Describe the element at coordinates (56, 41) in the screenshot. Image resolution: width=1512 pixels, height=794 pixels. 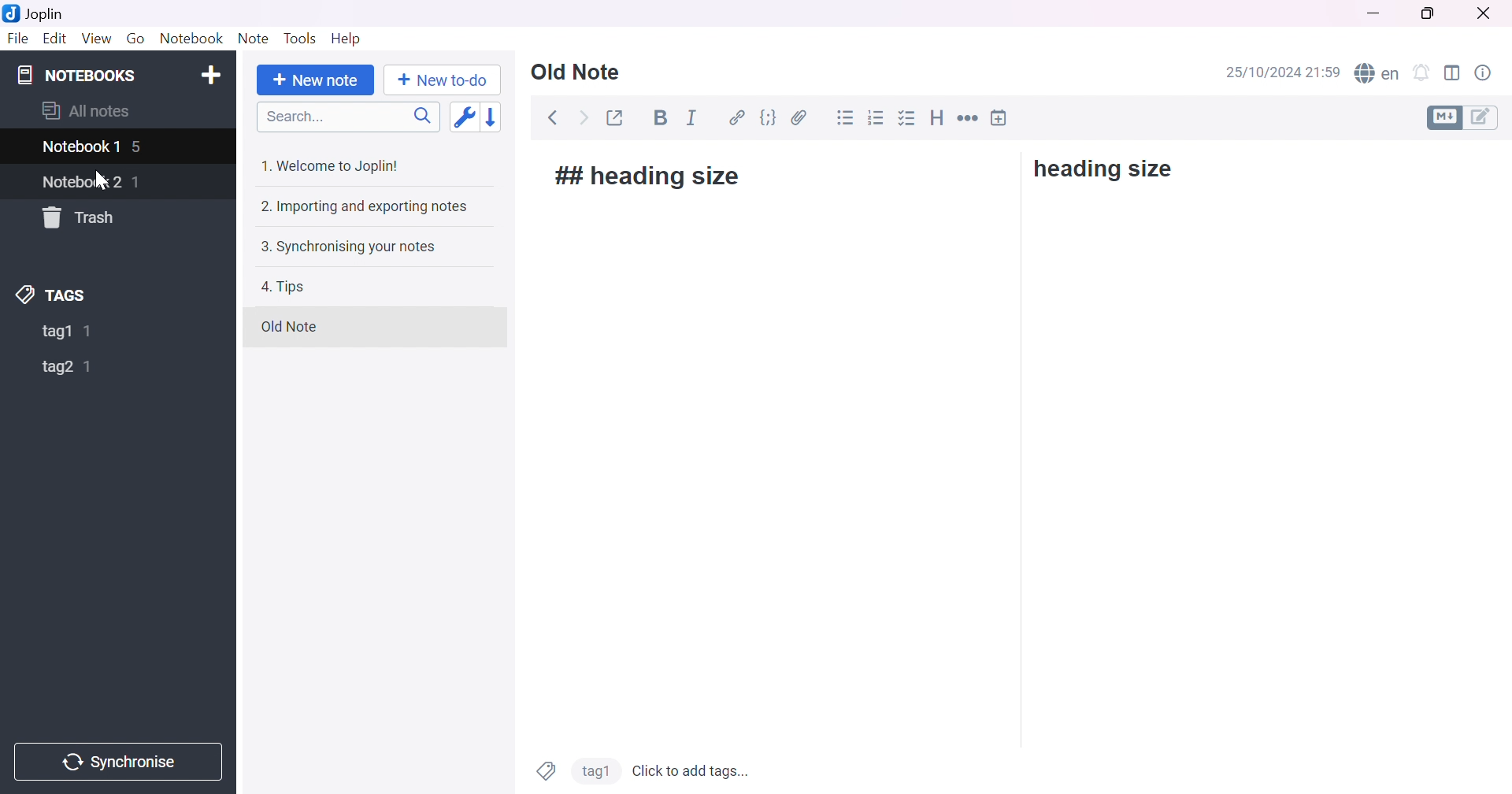
I see `Edit` at that location.